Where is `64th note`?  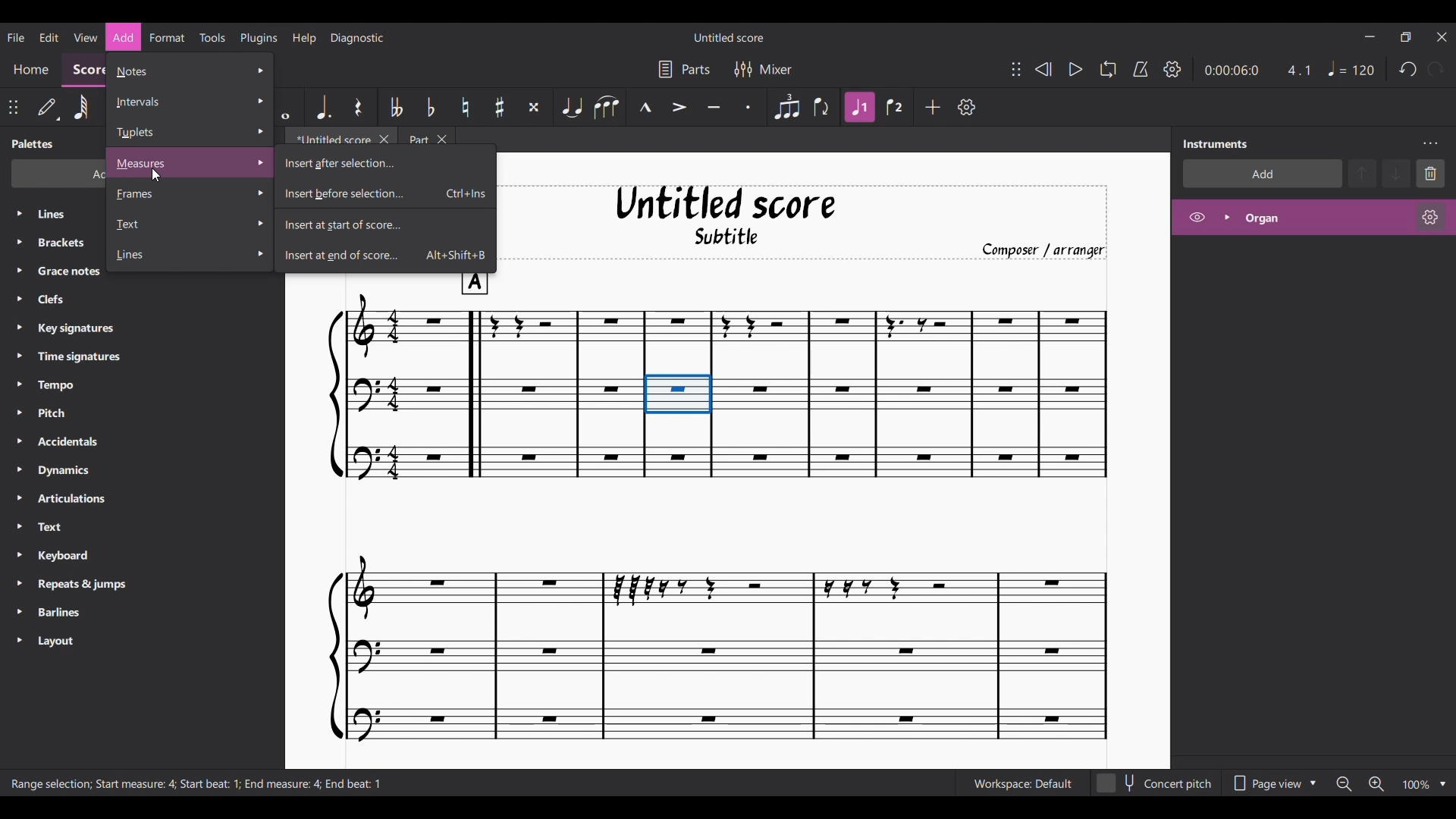
64th note is located at coordinates (81, 108).